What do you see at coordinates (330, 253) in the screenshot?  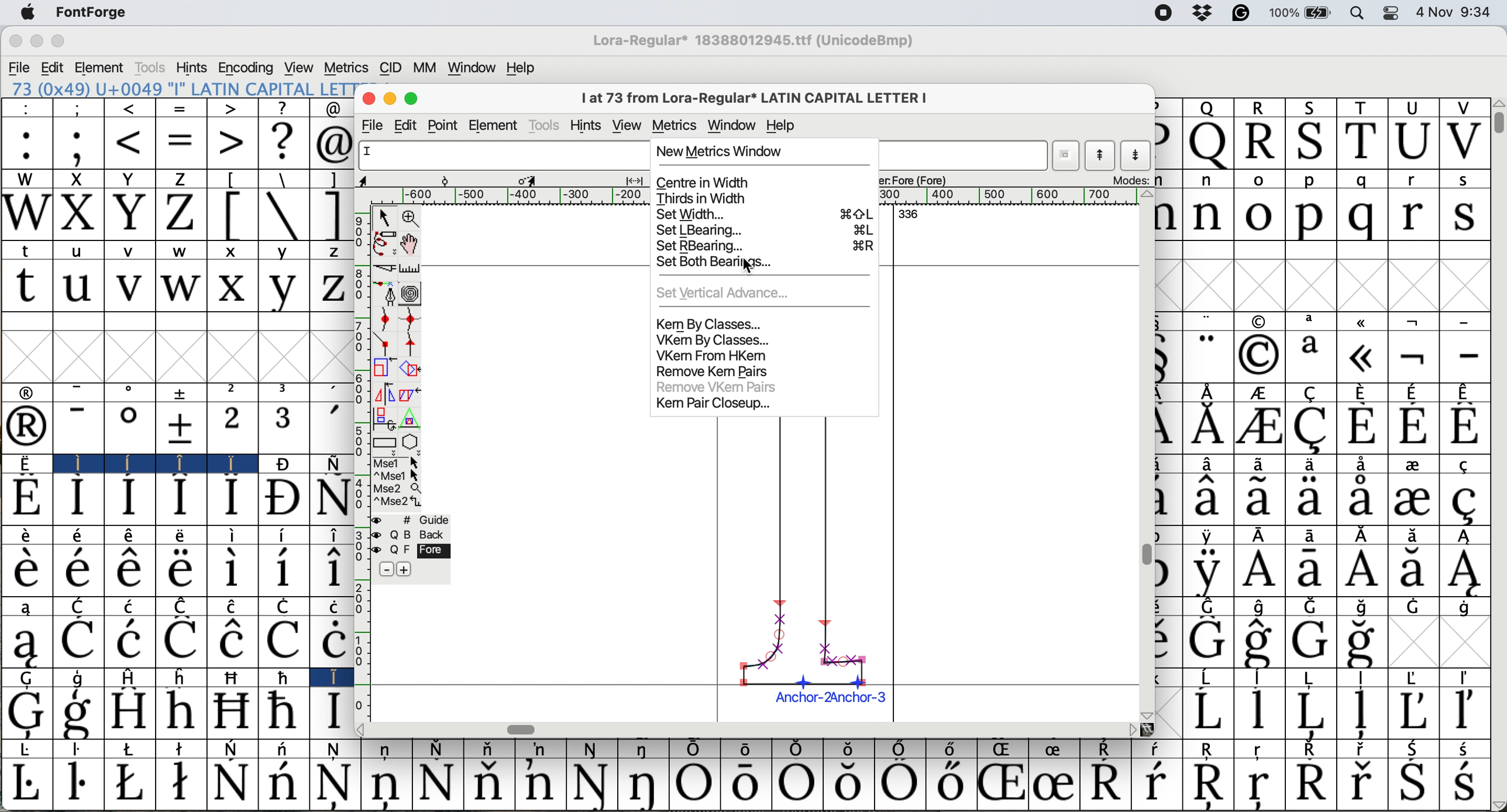 I see `z` at bounding box center [330, 253].